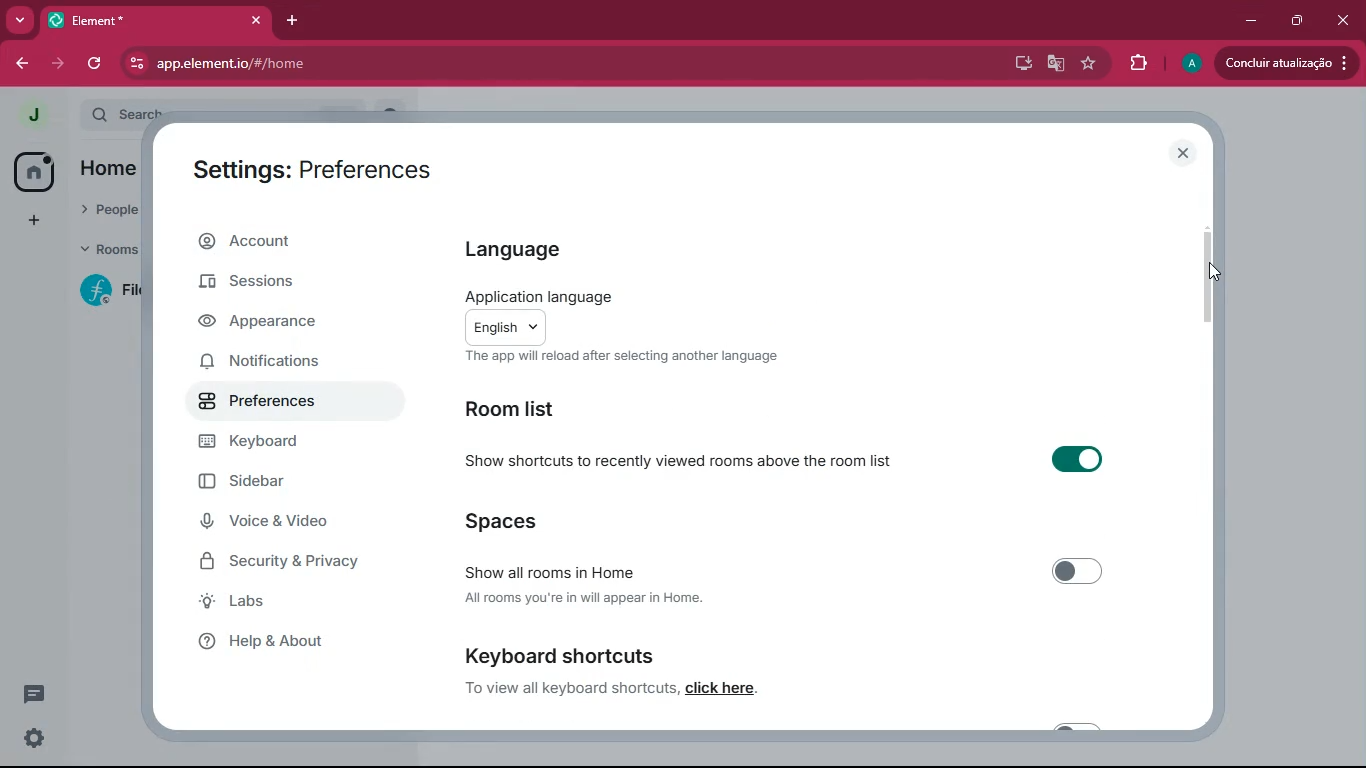 This screenshot has height=768, width=1366. What do you see at coordinates (1072, 456) in the screenshot?
I see `toggle on ` at bounding box center [1072, 456].